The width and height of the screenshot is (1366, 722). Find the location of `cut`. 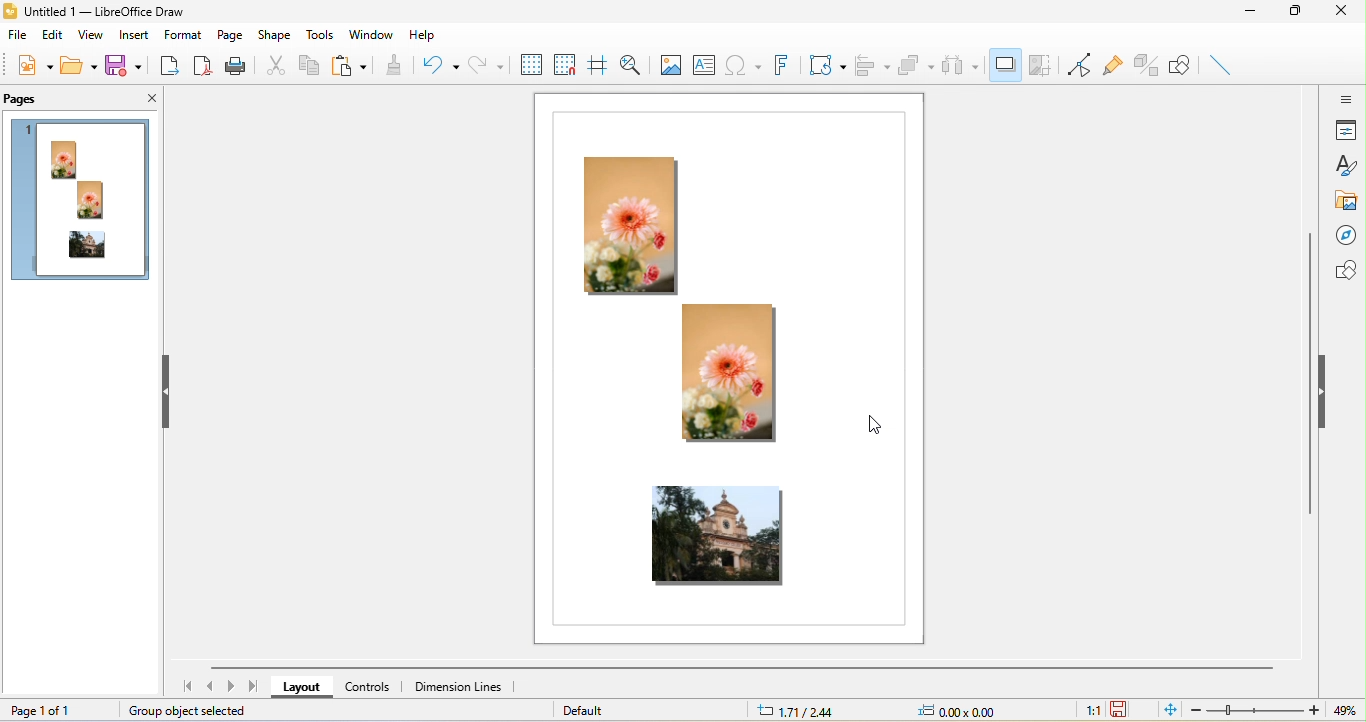

cut is located at coordinates (275, 64).